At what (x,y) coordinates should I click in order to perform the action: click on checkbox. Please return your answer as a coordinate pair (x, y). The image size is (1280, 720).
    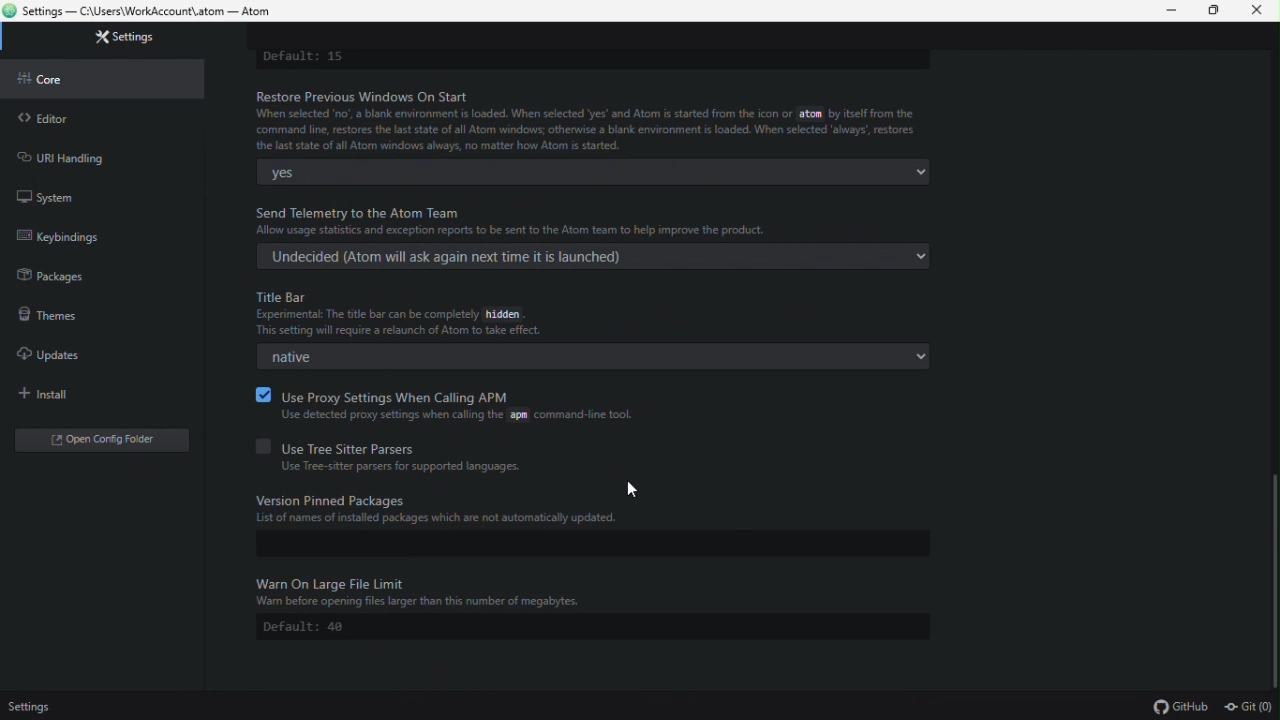
    Looking at the image, I should click on (261, 394).